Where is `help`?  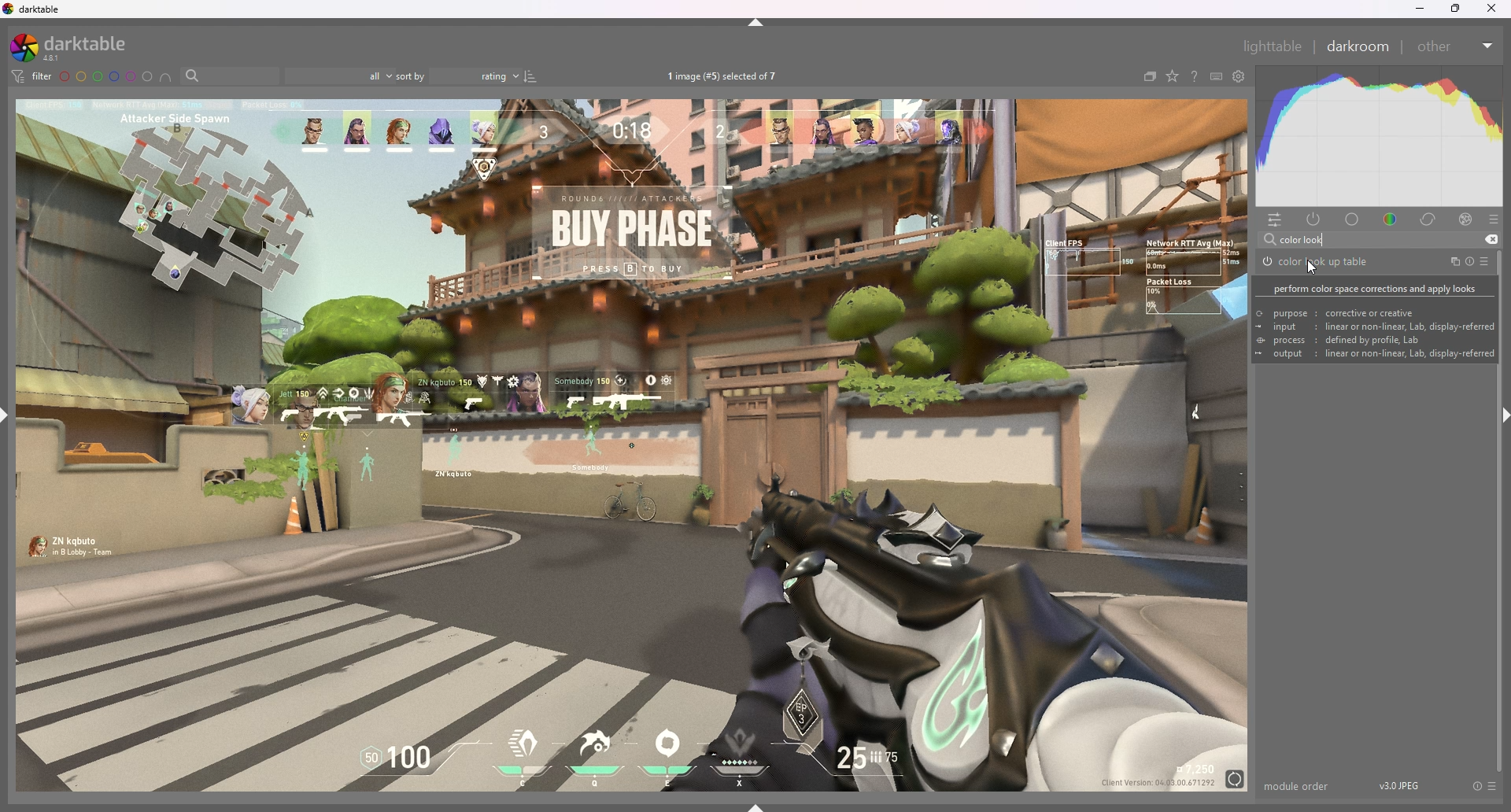 help is located at coordinates (1194, 76).